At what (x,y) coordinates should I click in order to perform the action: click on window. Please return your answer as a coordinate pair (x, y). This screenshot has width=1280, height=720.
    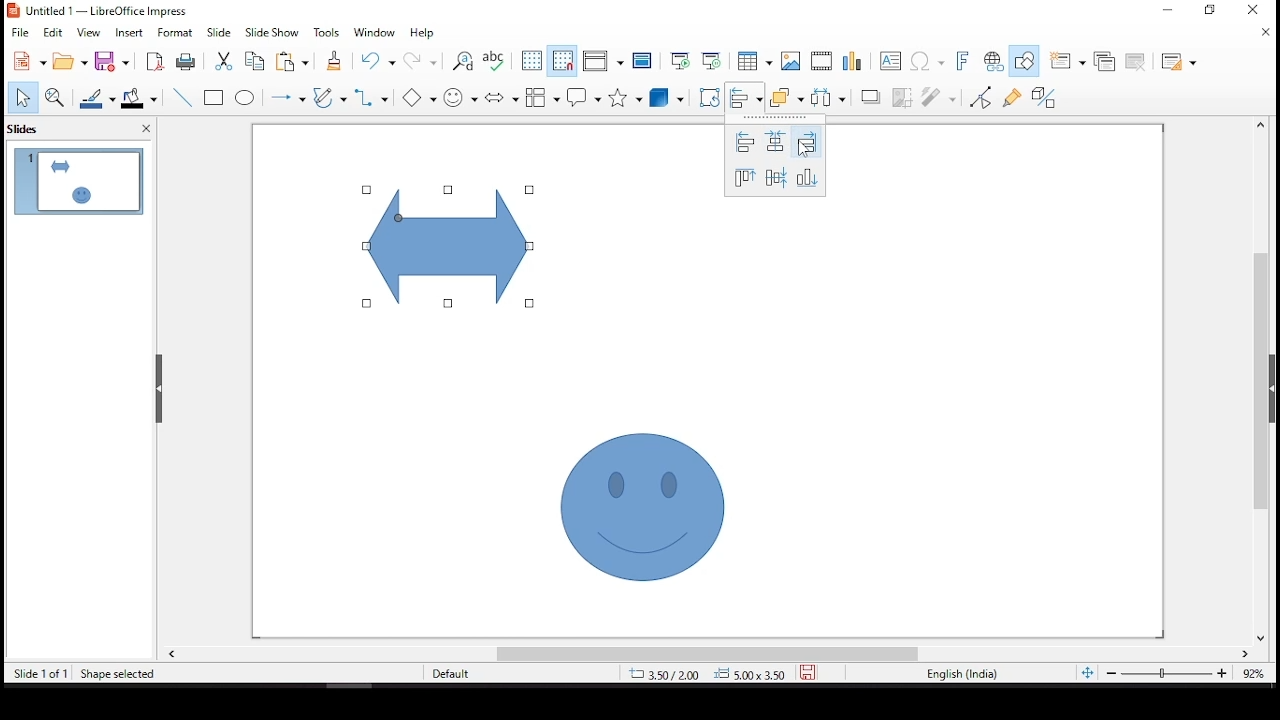
    Looking at the image, I should click on (377, 33).